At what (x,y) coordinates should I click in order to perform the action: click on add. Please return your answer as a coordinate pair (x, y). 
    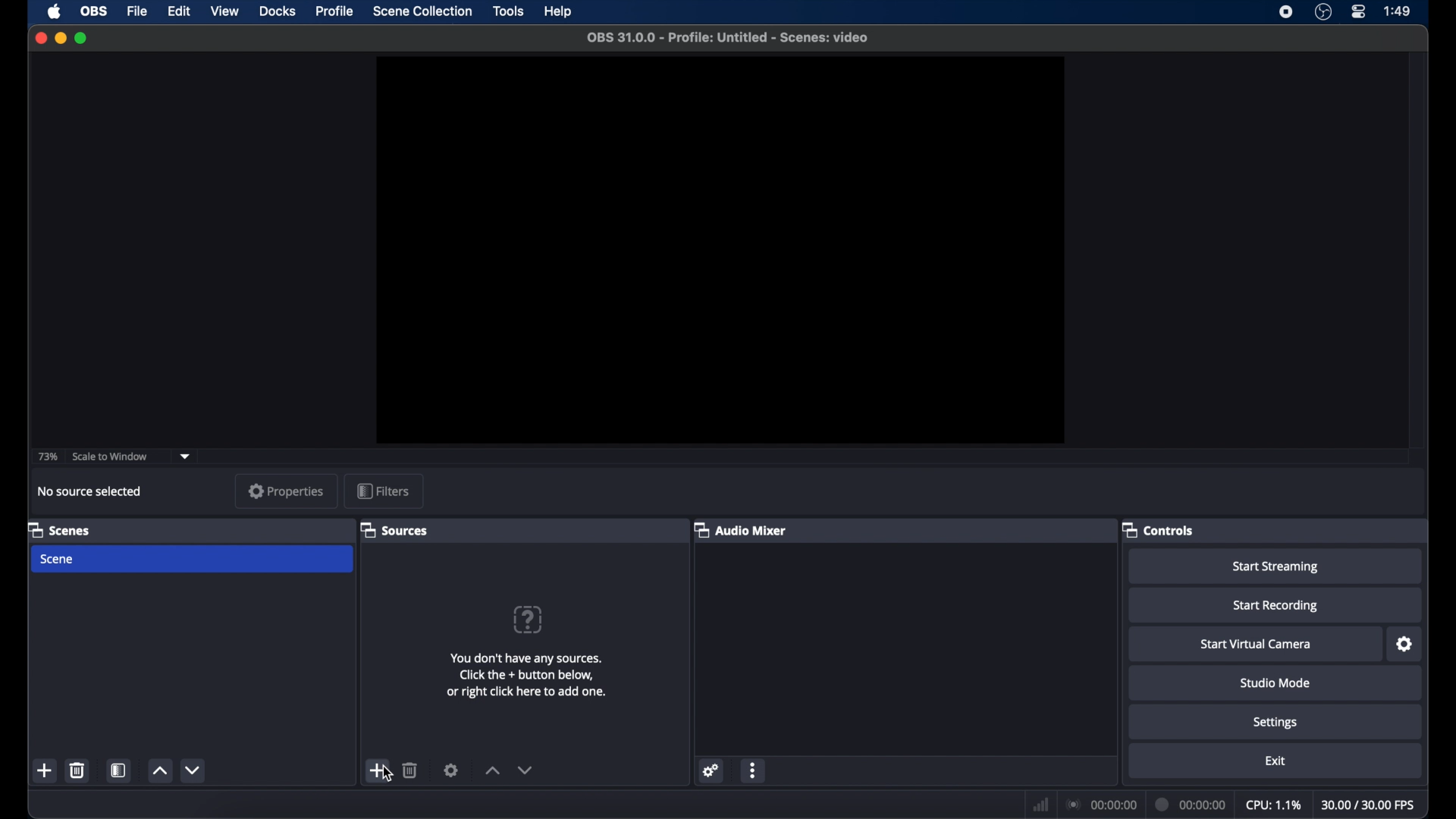
    Looking at the image, I should click on (378, 769).